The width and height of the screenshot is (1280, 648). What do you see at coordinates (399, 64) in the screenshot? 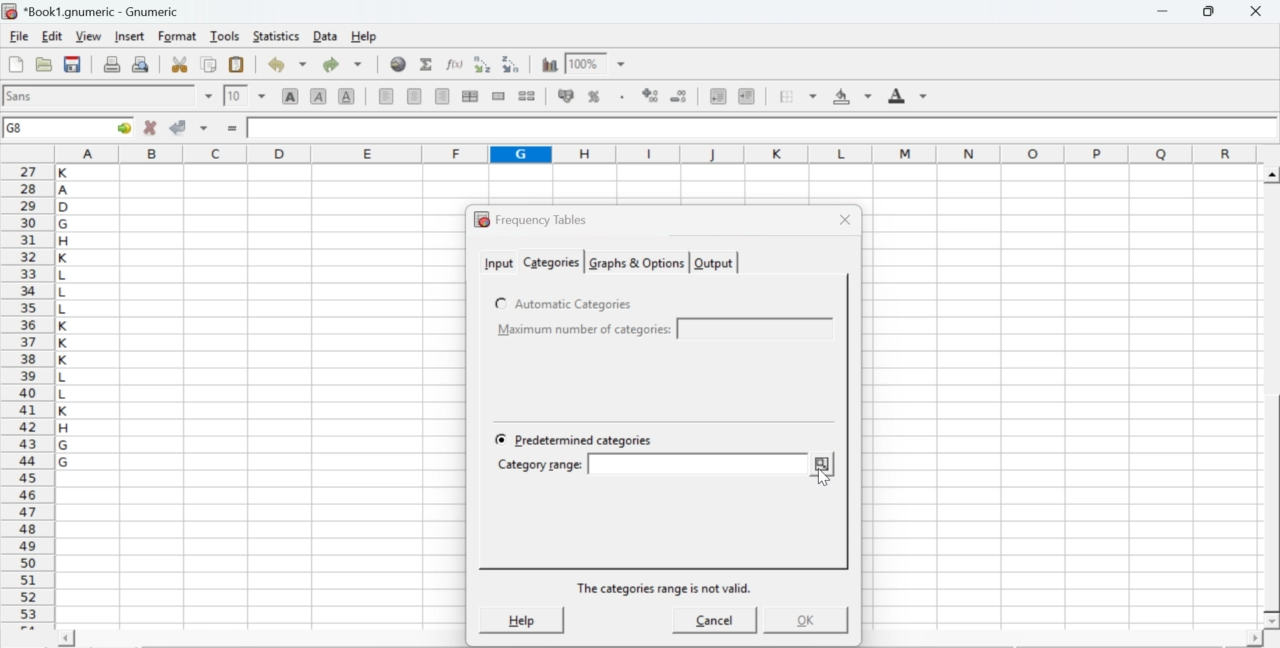
I see `insert hyperlink` at bounding box center [399, 64].